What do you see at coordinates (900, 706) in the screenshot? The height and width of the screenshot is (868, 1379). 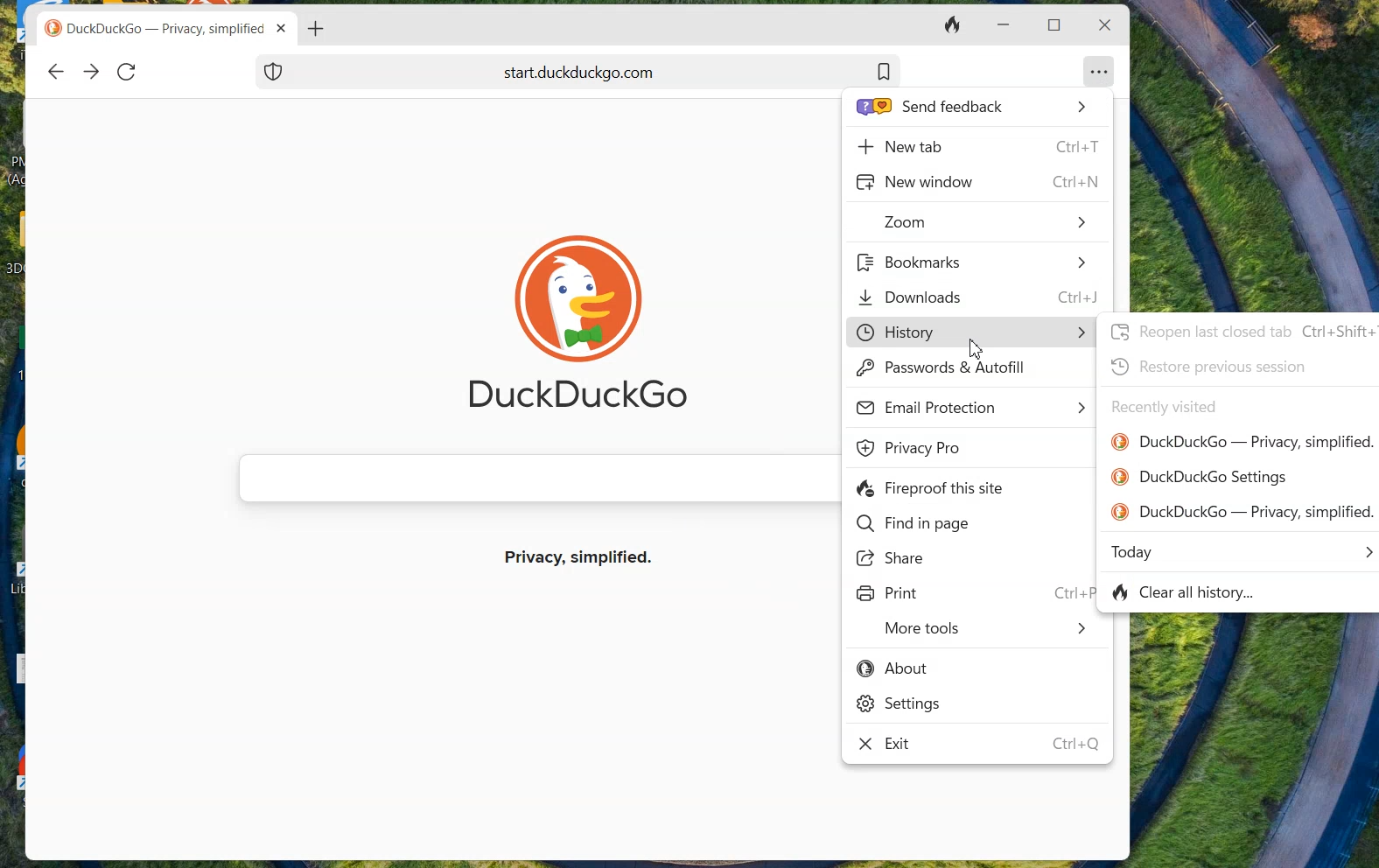 I see `Settings` at bounding box center [900, 706].